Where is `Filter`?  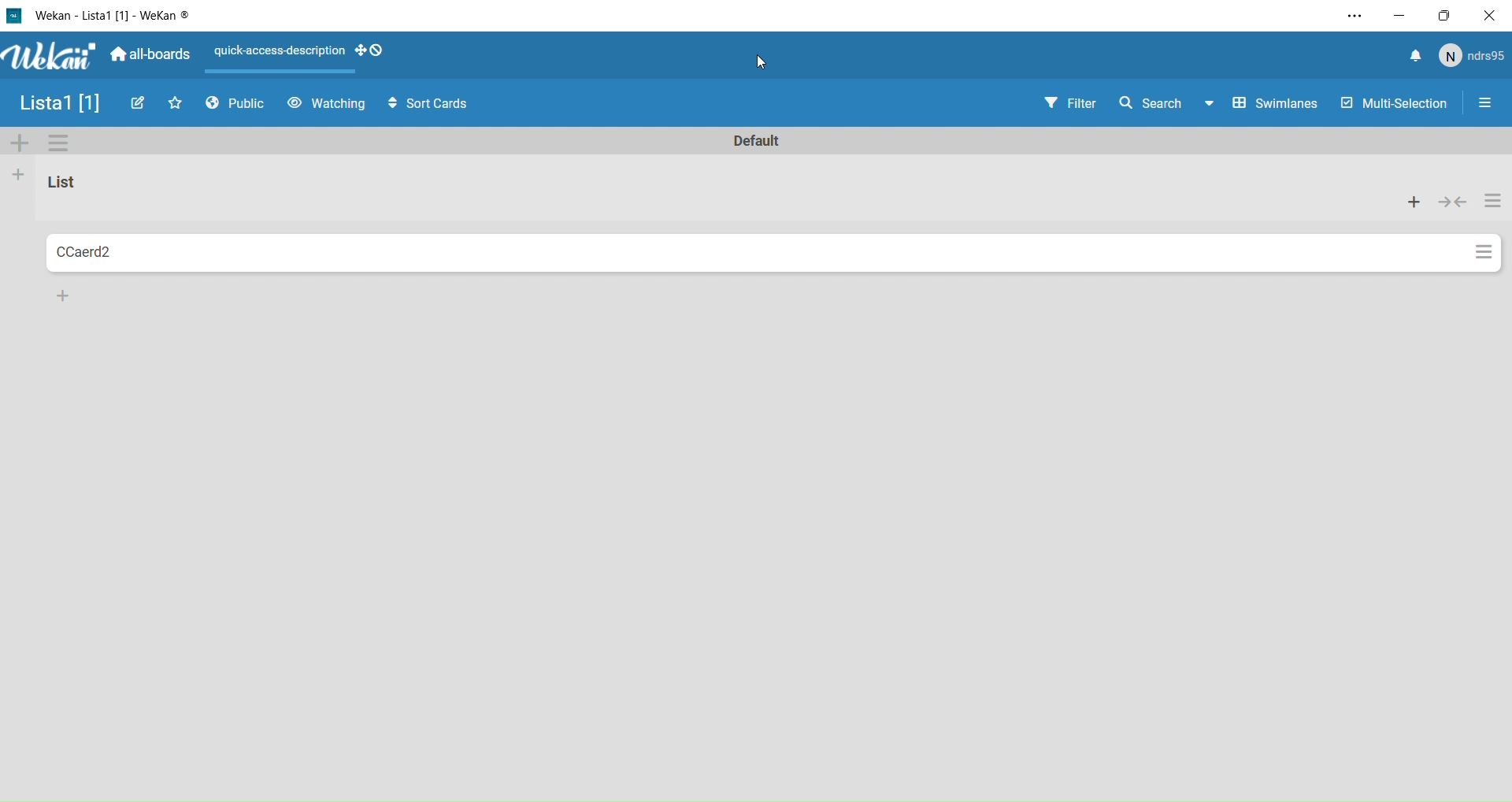
Filter is located at coordinates (1058, 104).